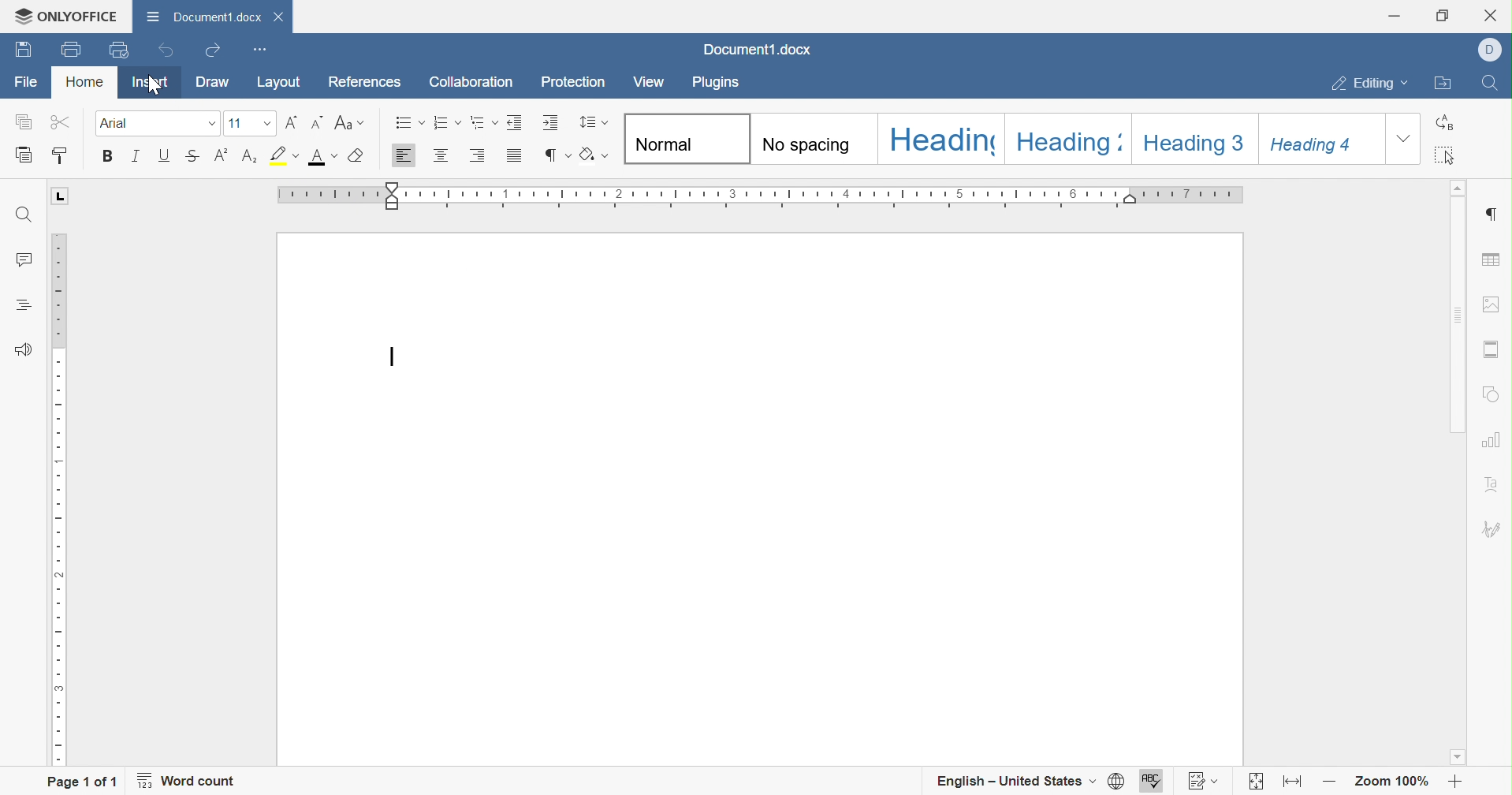 The image size is (1512, 795). I want to click on Scroll bar, so click(1460, 317).